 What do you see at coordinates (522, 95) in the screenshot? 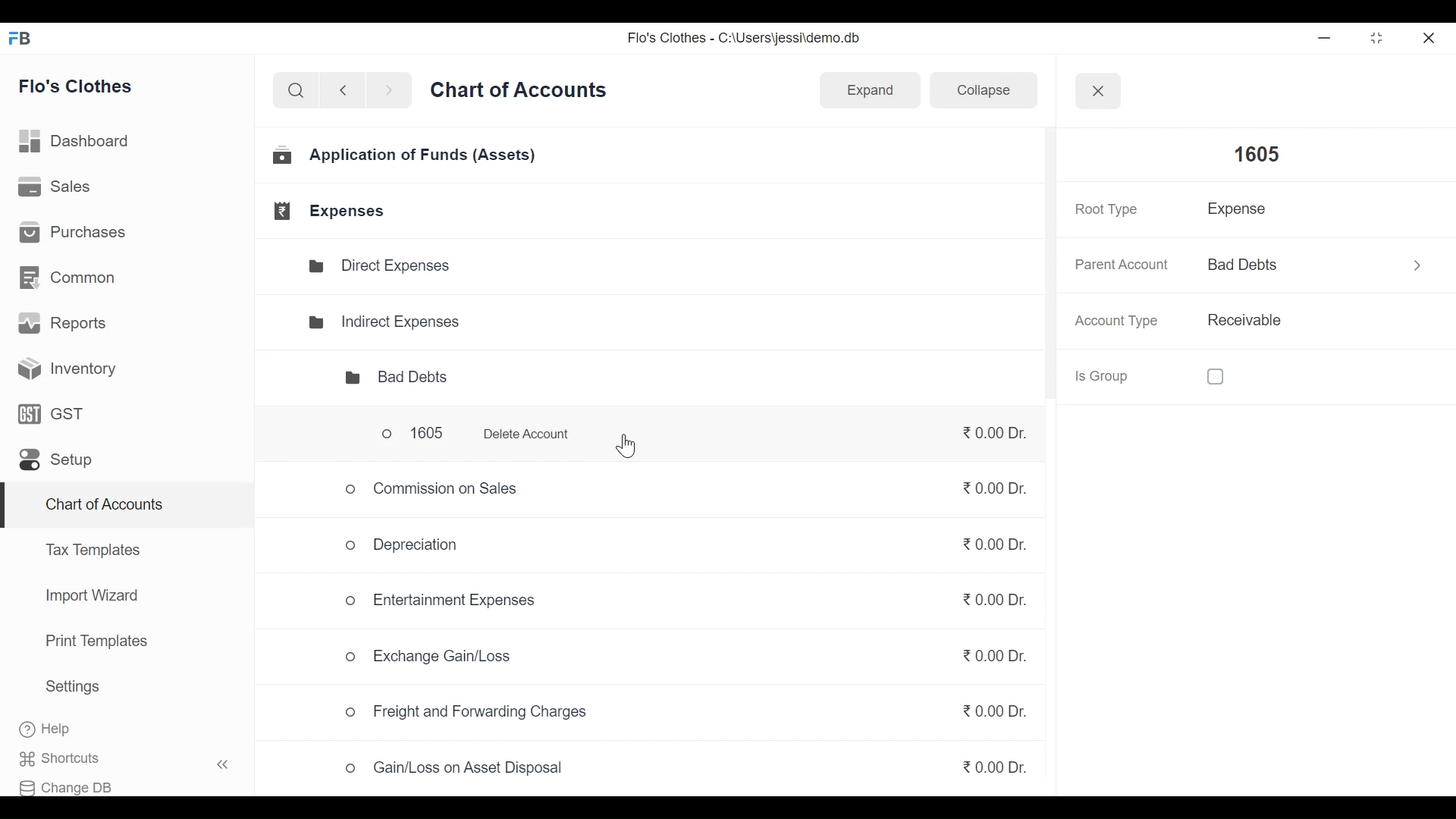
I see `Chart of Accounts` at bounding box center [522, 95].